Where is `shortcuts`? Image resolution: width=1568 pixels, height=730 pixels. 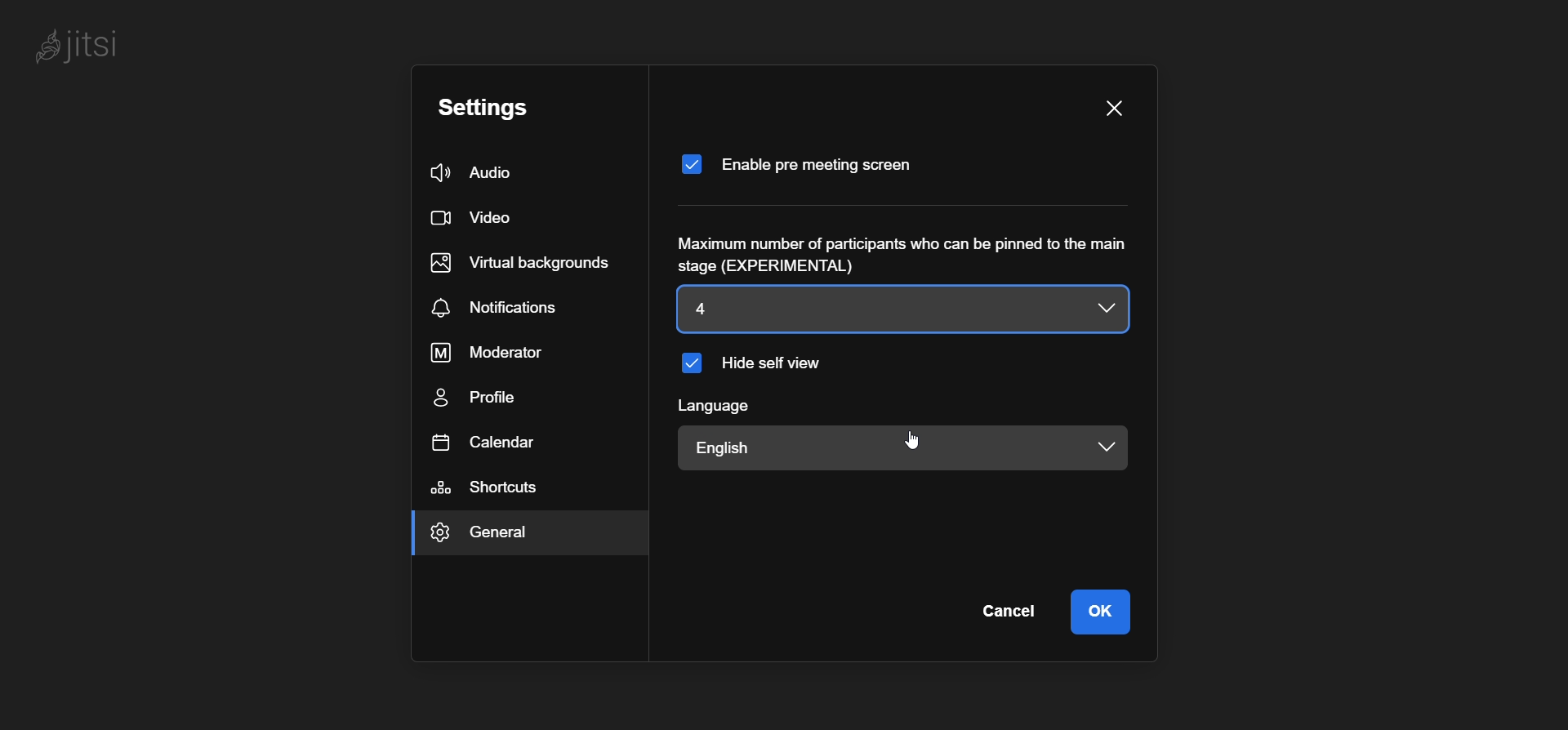
shortcuts is located at coordinates (493, 488).